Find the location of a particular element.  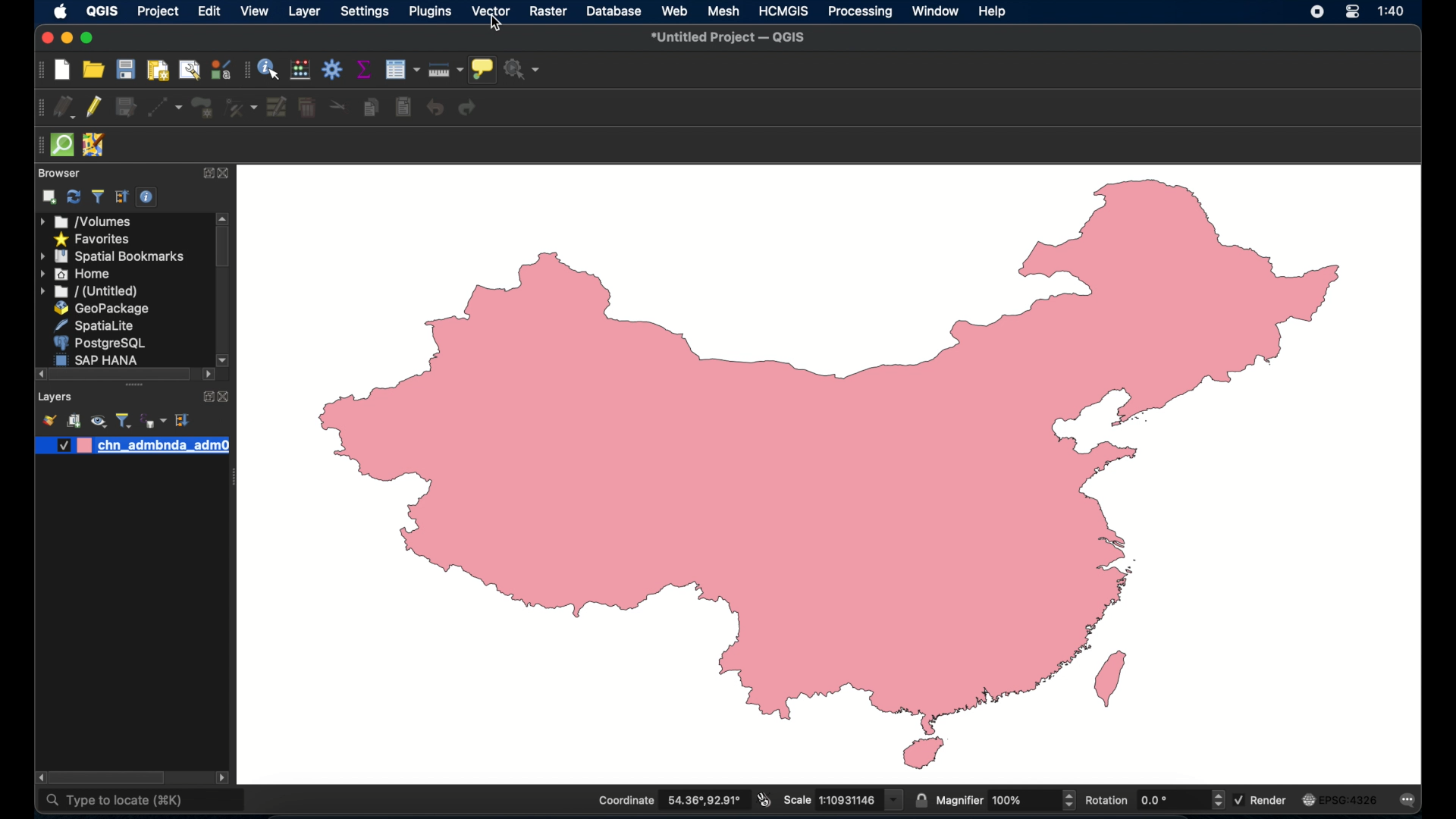

lock scale is located at coordinates (920, 799).